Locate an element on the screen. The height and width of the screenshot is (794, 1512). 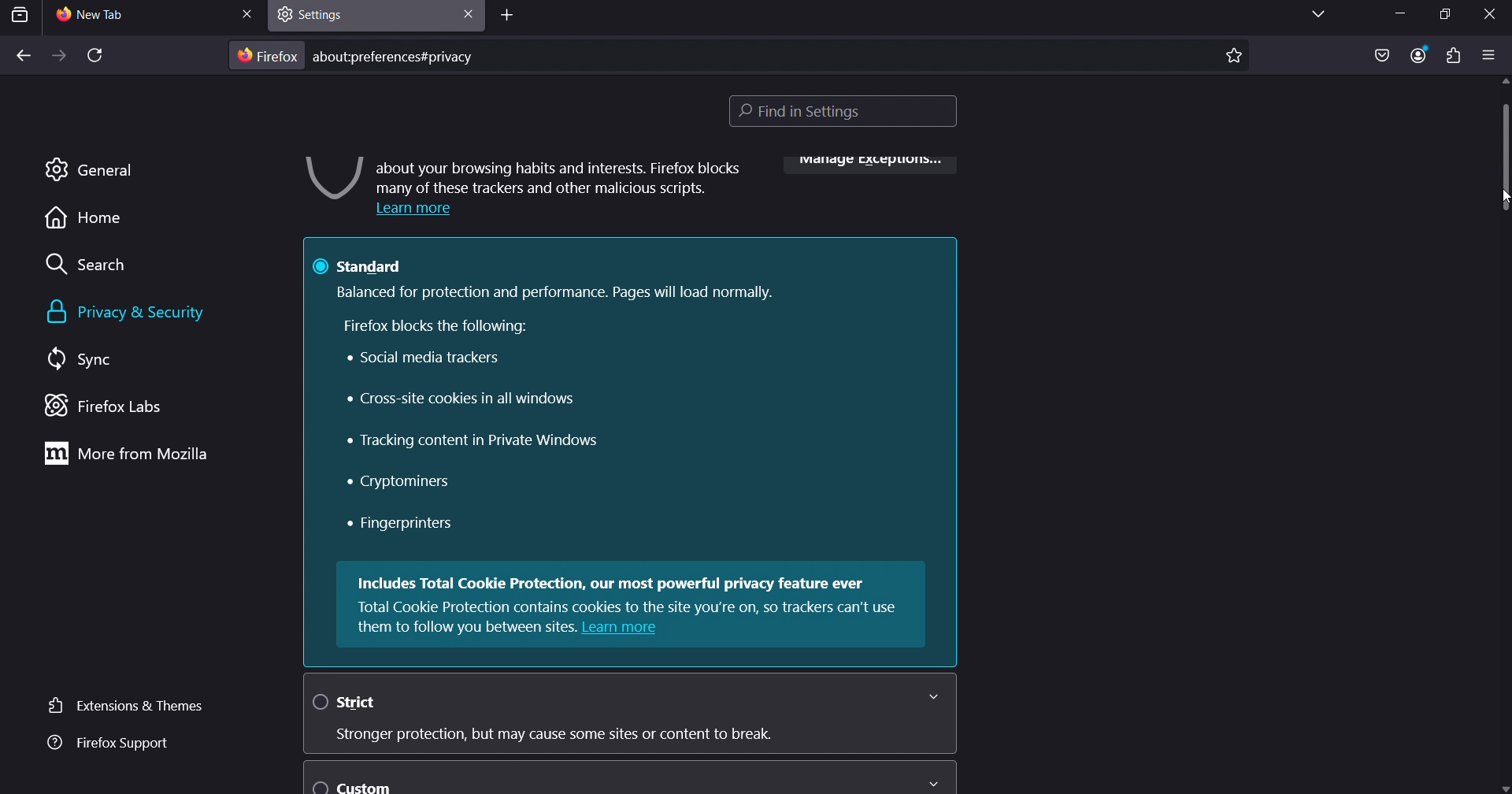
reload page is located at coordinates (94, 58).